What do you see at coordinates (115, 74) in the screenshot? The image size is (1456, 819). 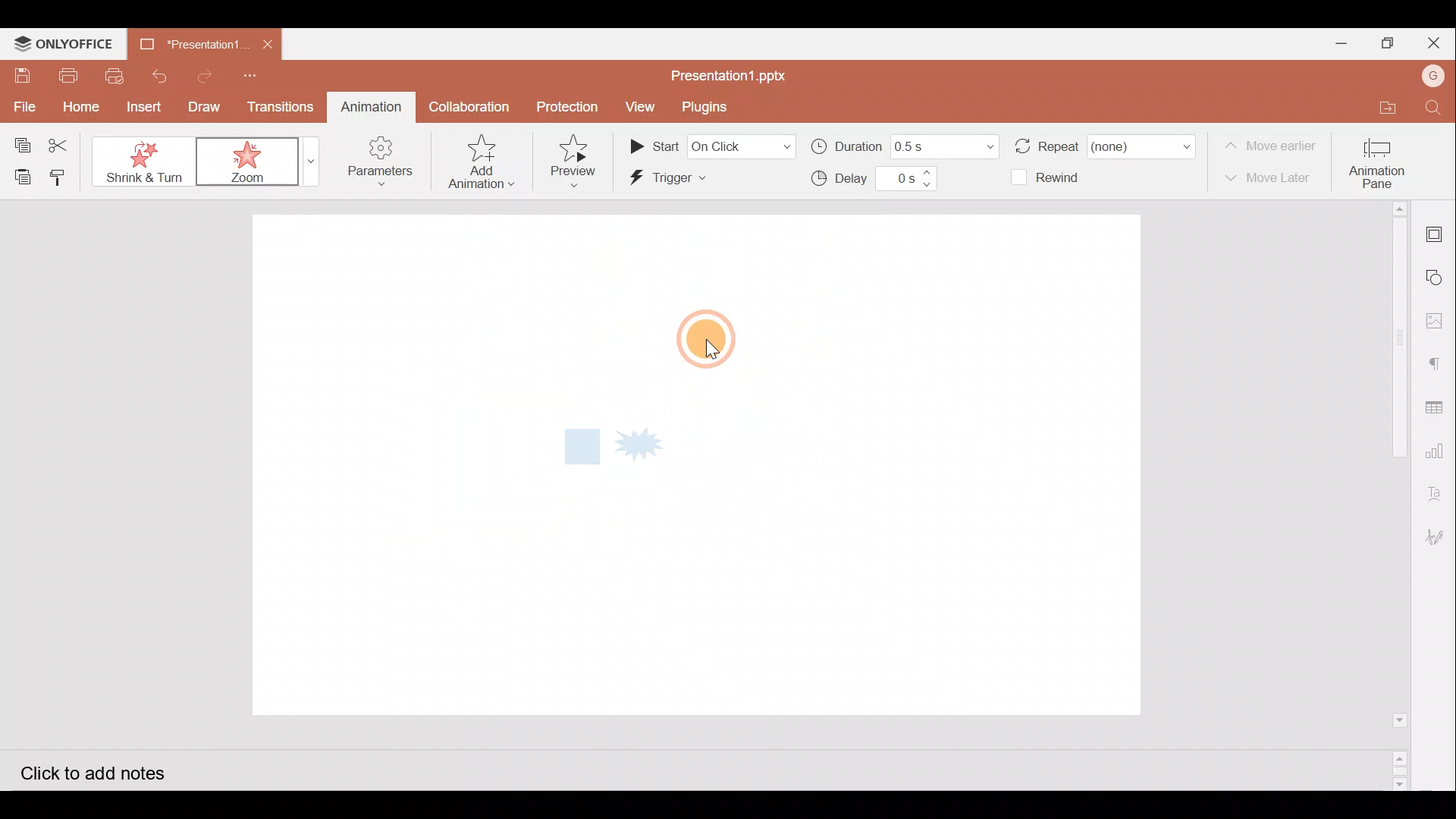 I see `Quick print` at bounding box center [115, 74].